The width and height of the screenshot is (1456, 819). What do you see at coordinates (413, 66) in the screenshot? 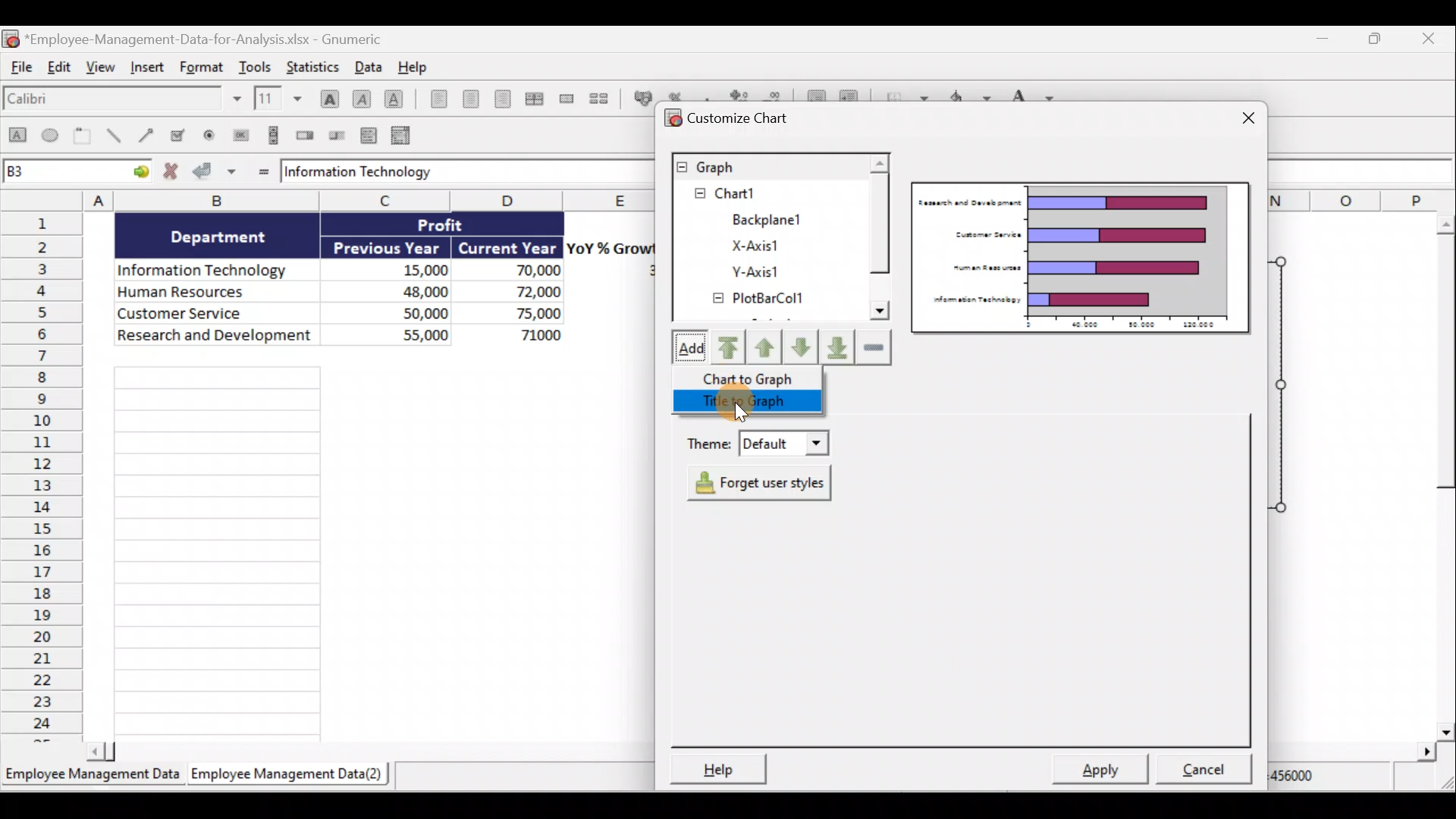
I see `Help` at bounding box center [413, 66].